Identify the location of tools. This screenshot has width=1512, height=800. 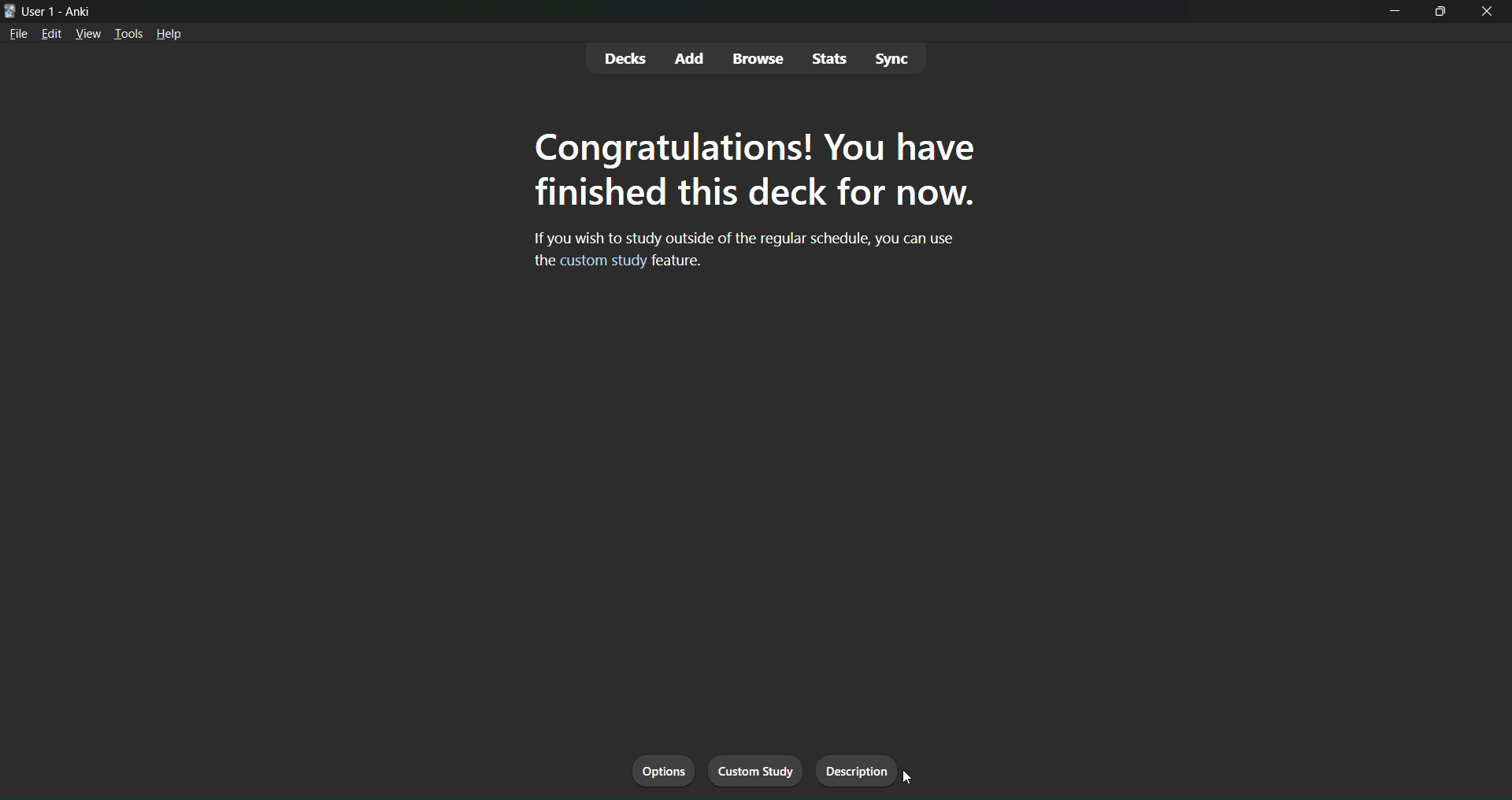
(130, 31).